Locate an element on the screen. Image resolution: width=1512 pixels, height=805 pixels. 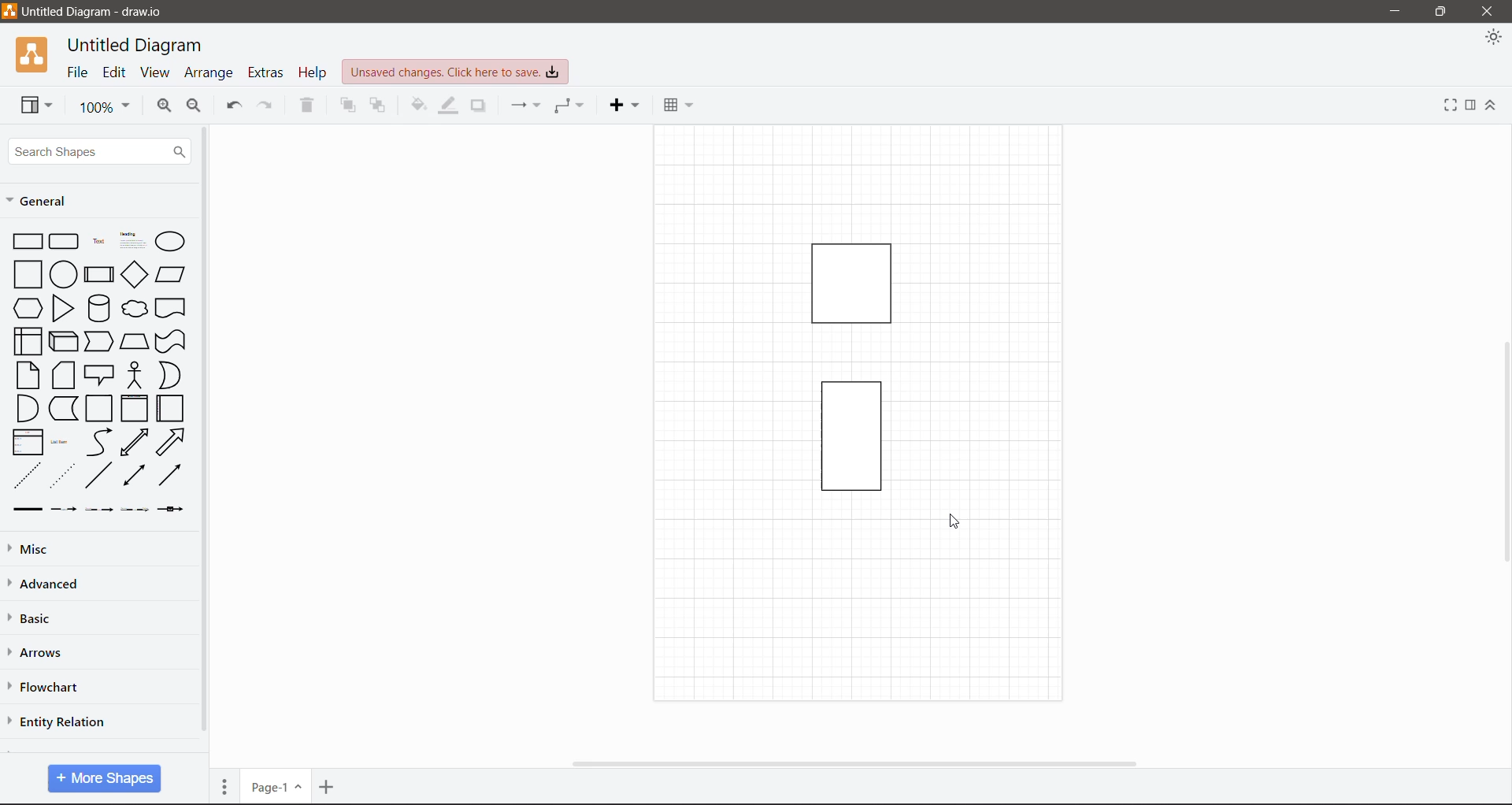
General is located at coordinates (48, 203).